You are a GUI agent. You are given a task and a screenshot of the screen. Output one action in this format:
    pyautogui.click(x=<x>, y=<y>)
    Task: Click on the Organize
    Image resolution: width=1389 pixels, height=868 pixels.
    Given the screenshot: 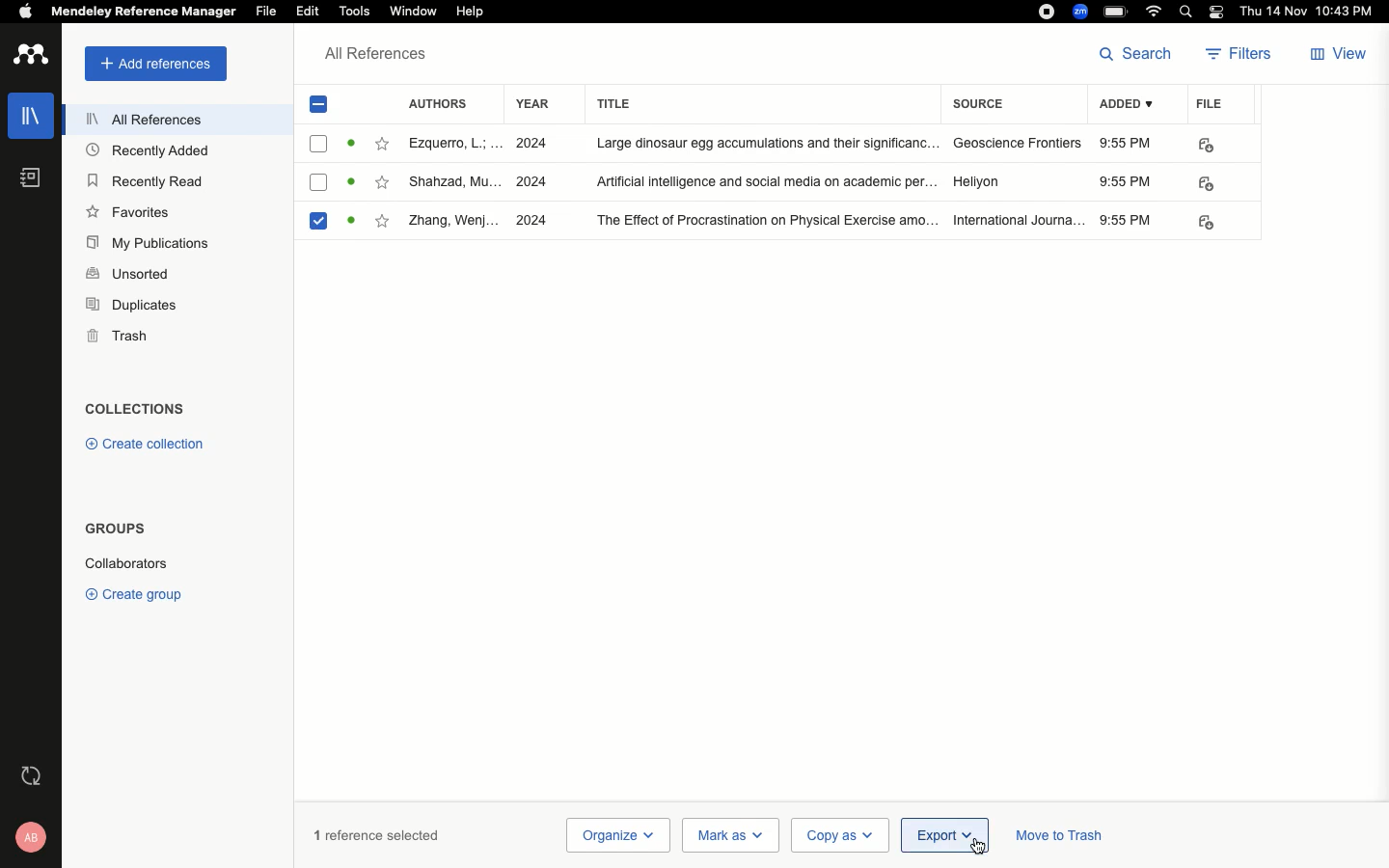 What is the action you would take?
    pyautogui.click(x=616, y=835)
    